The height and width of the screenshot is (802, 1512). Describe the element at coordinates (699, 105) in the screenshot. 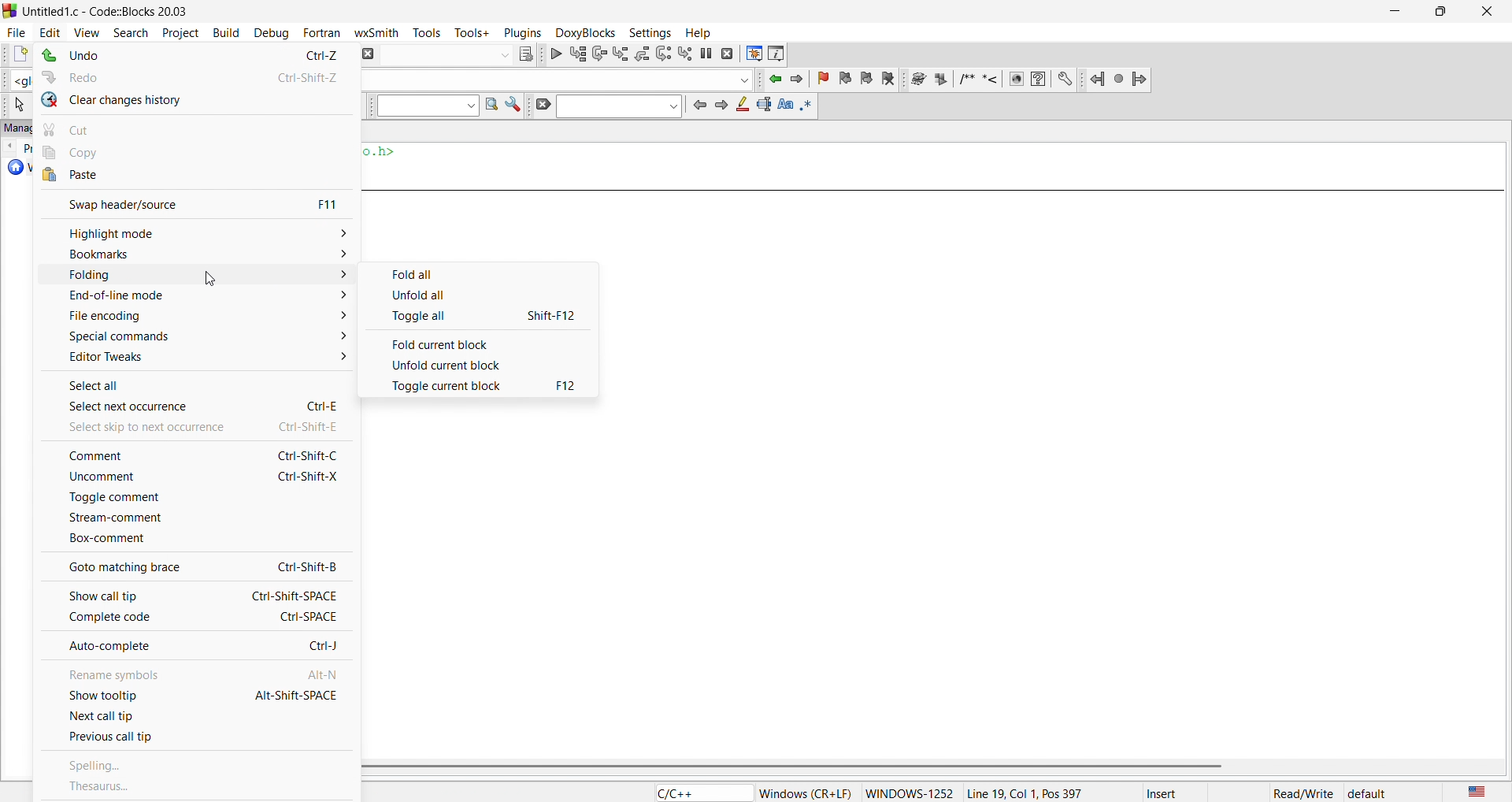

I see `prev` at that location.